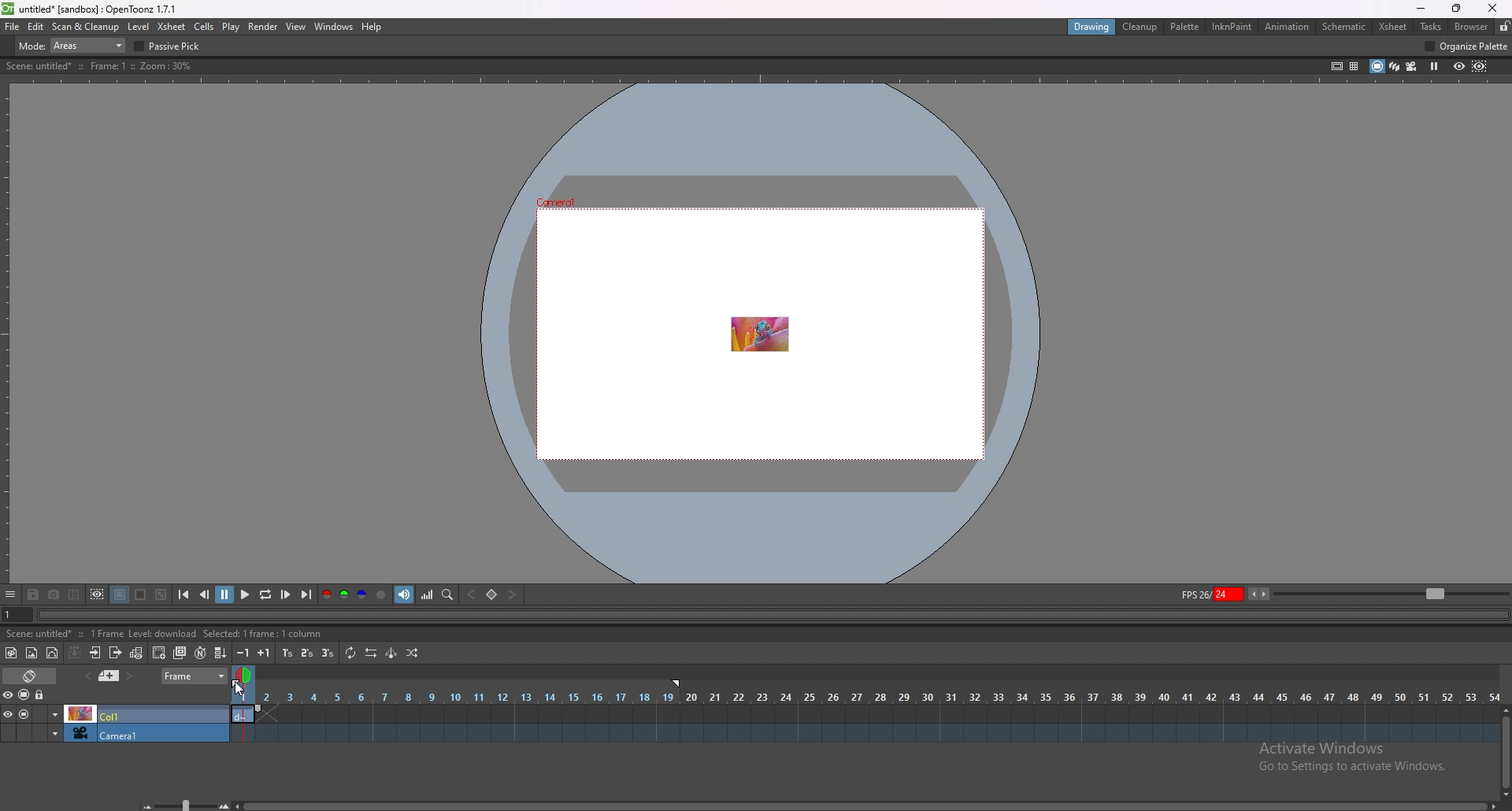 Image resolution: width=1512 pixels, height=811 pixels. What do you see at coordinates (328, 653) in the screenshot?
I see `reframe on 3s` at bounding box center [328, 653].